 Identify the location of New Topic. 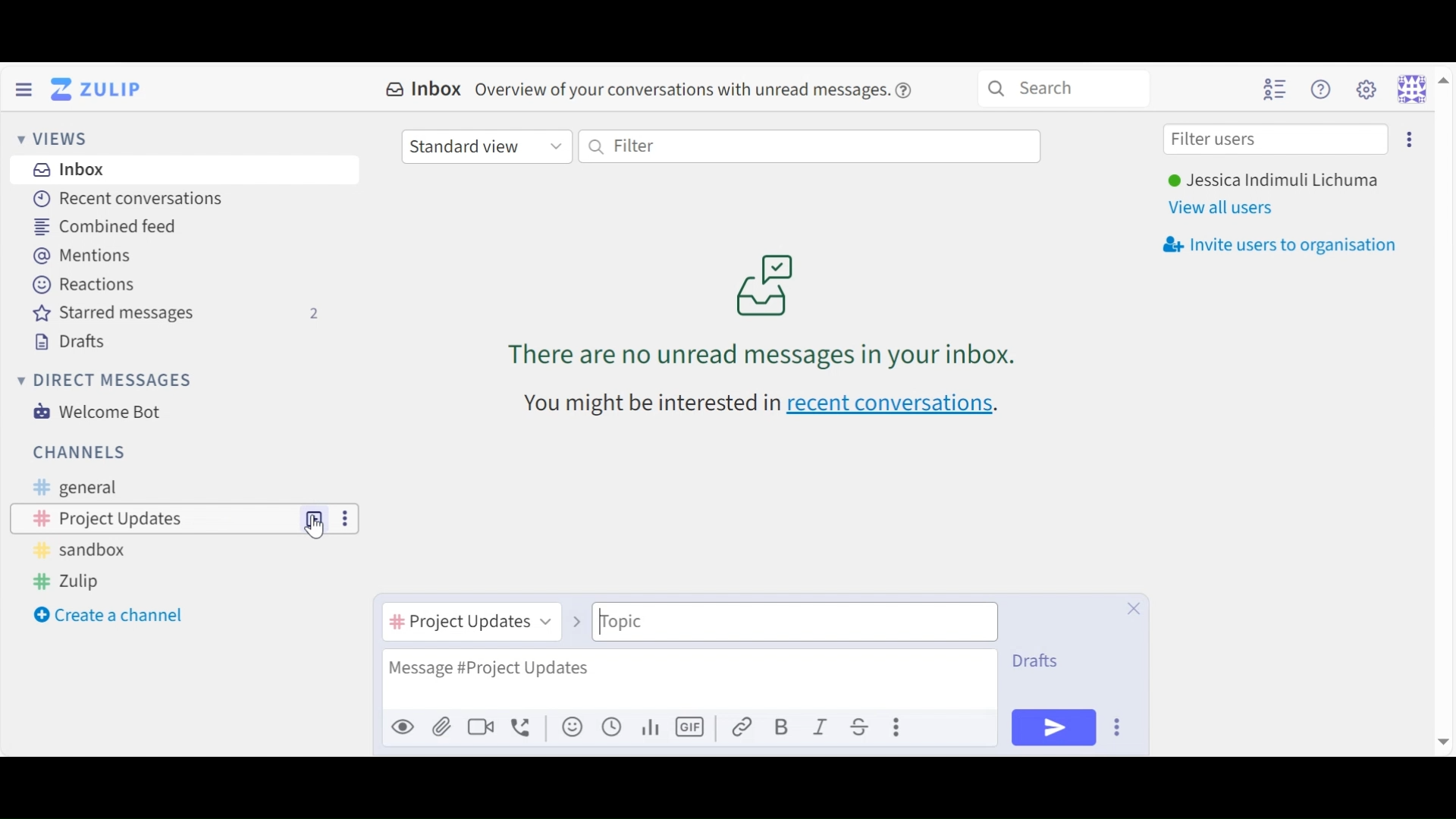
(315, 517).